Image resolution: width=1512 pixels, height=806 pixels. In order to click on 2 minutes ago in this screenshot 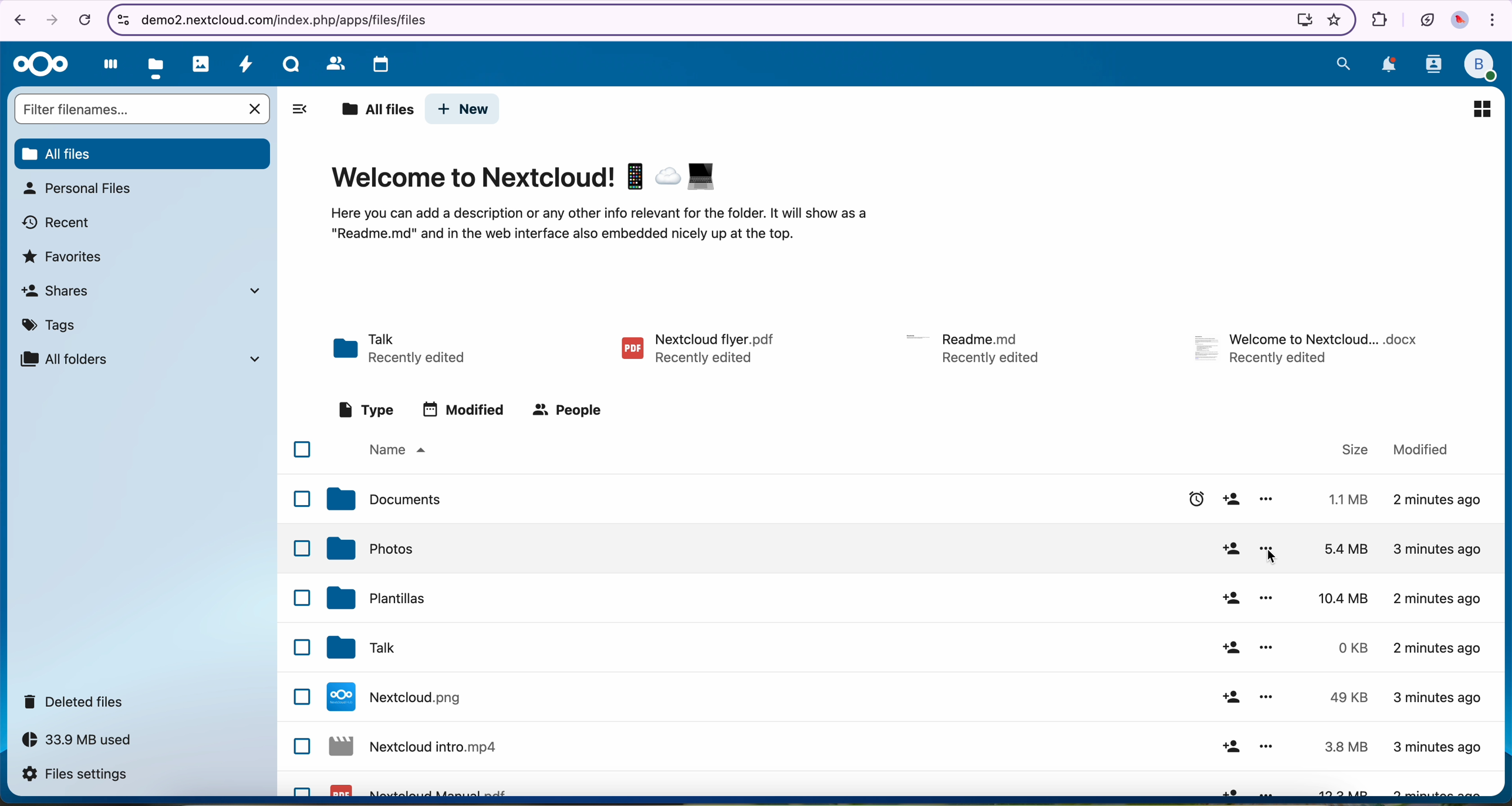, I will do `click(1440, 597)`.